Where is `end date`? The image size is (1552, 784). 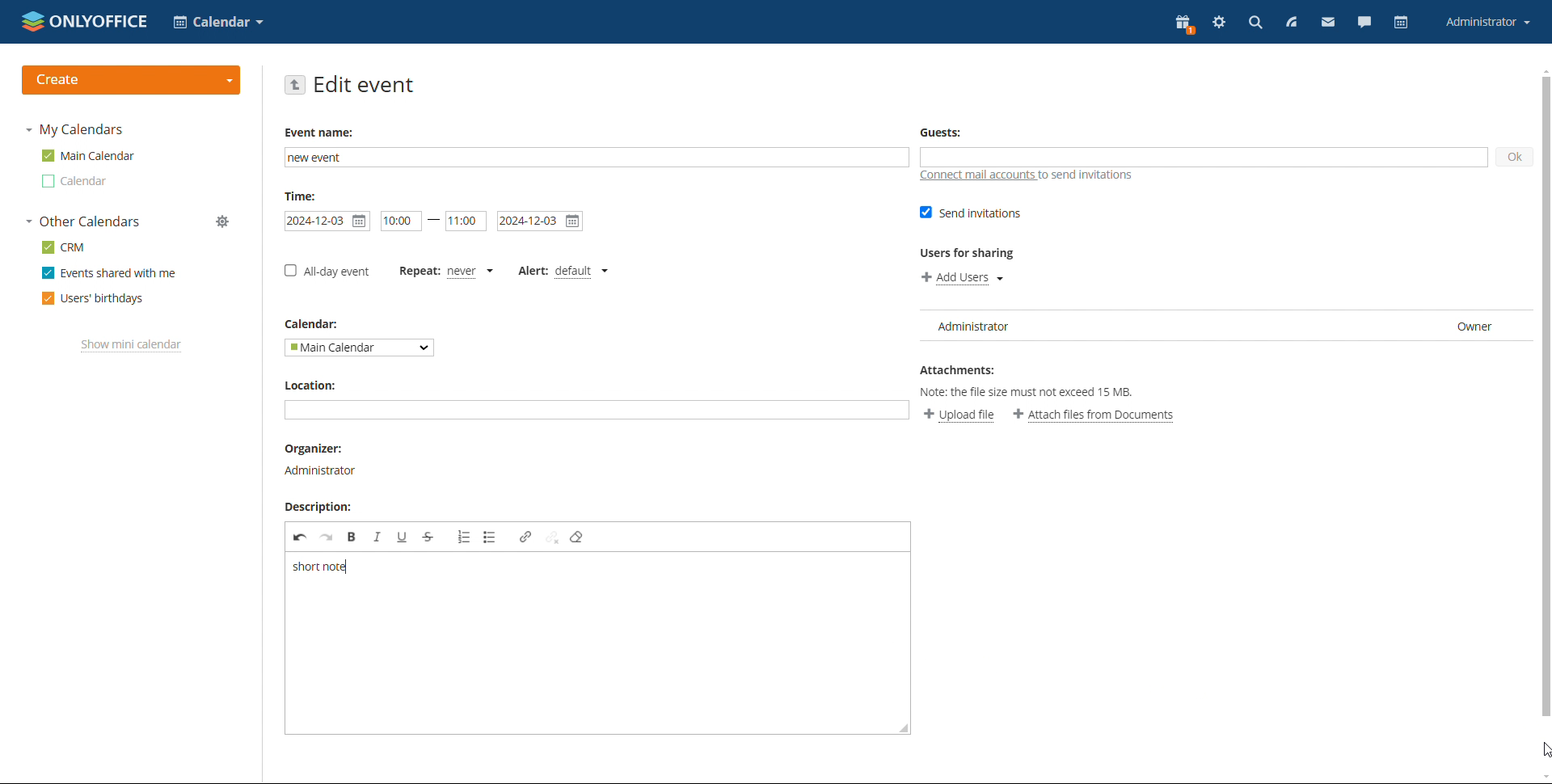
end date is located at coordinates (540, 221).